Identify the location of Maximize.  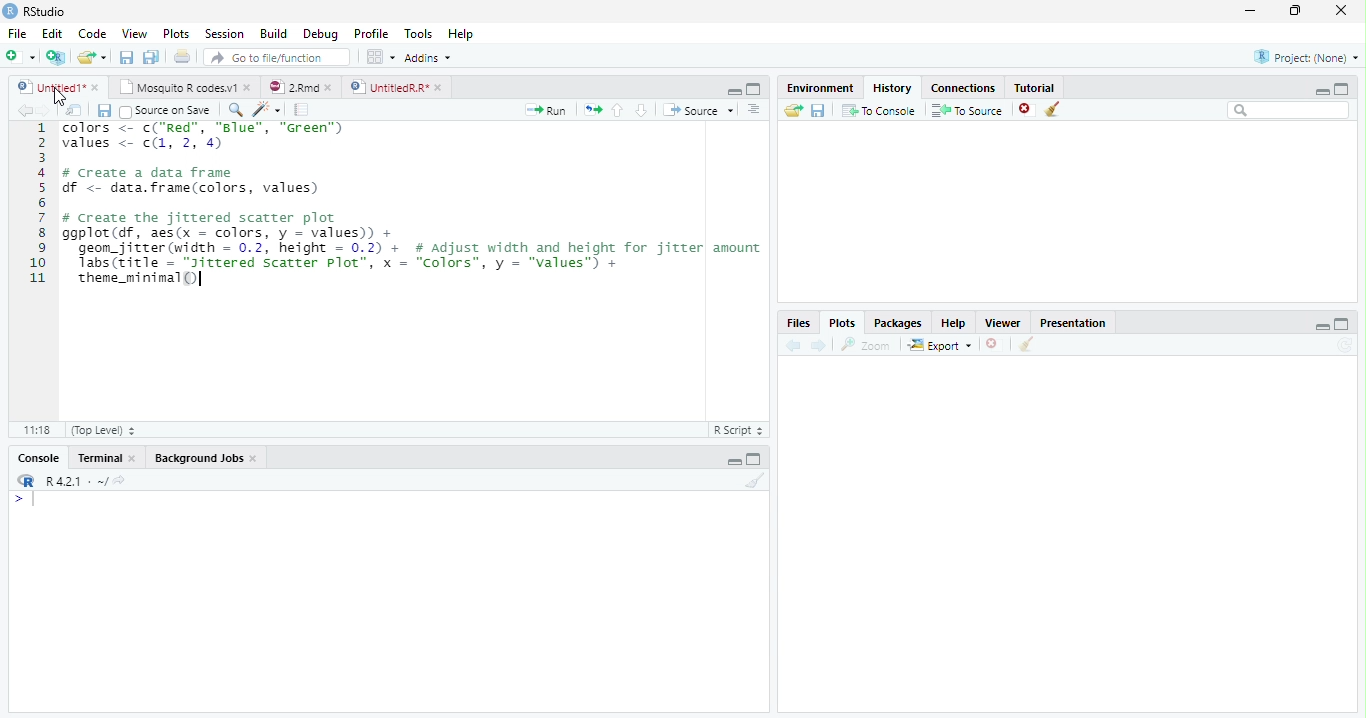
(754, 89).